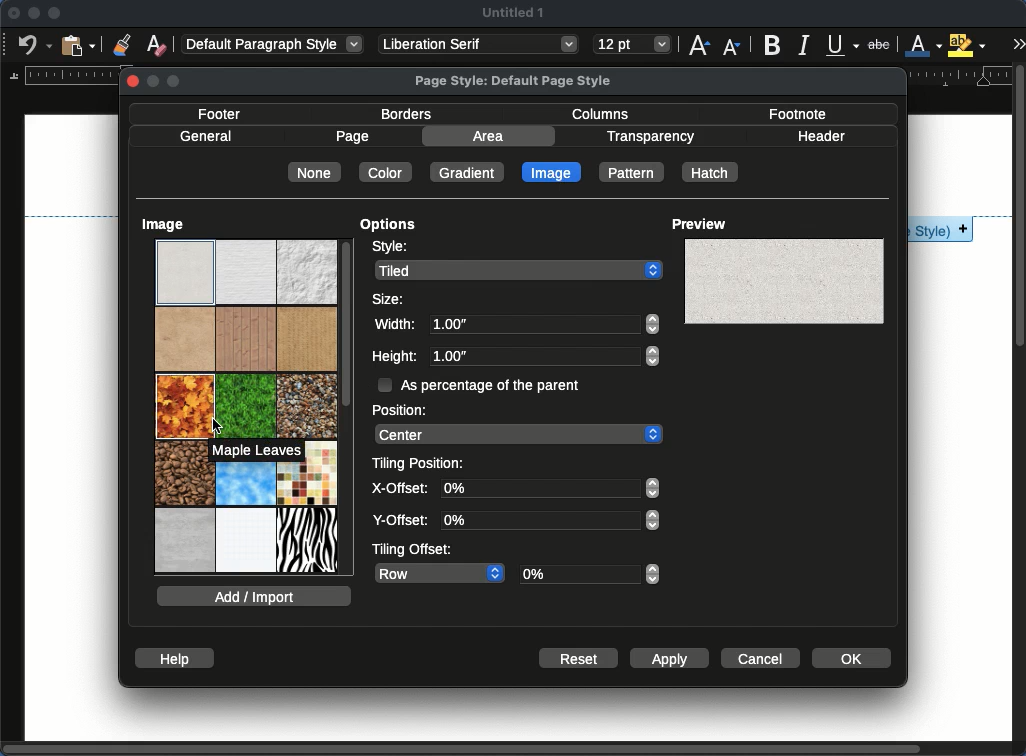  Describe the element at coordinates (389, 299) in the screenshot. I see `size` at that location.